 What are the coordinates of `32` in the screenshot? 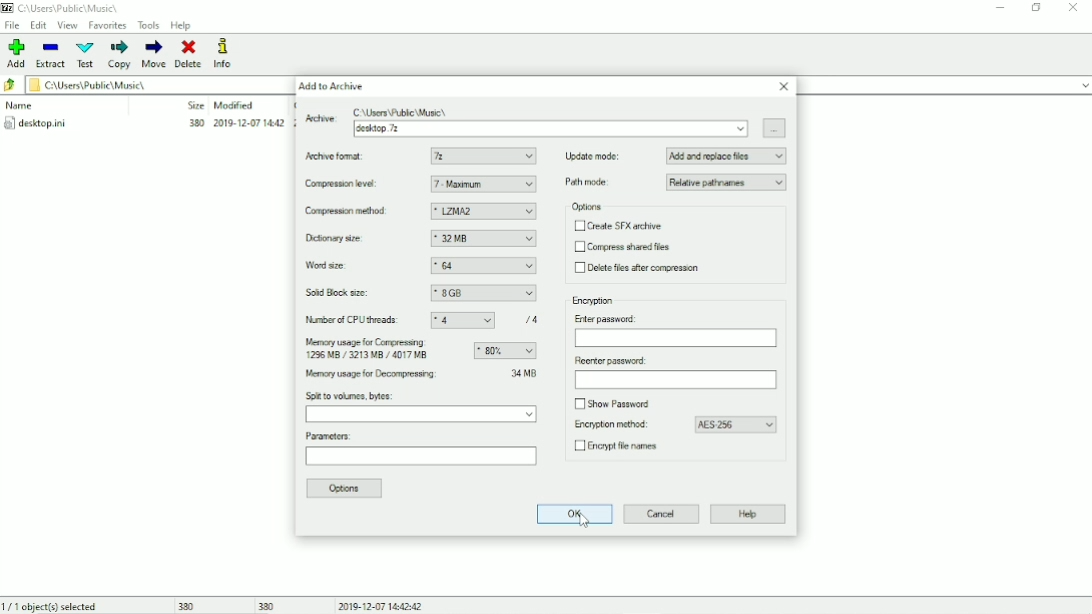 It's located at (484, 266).